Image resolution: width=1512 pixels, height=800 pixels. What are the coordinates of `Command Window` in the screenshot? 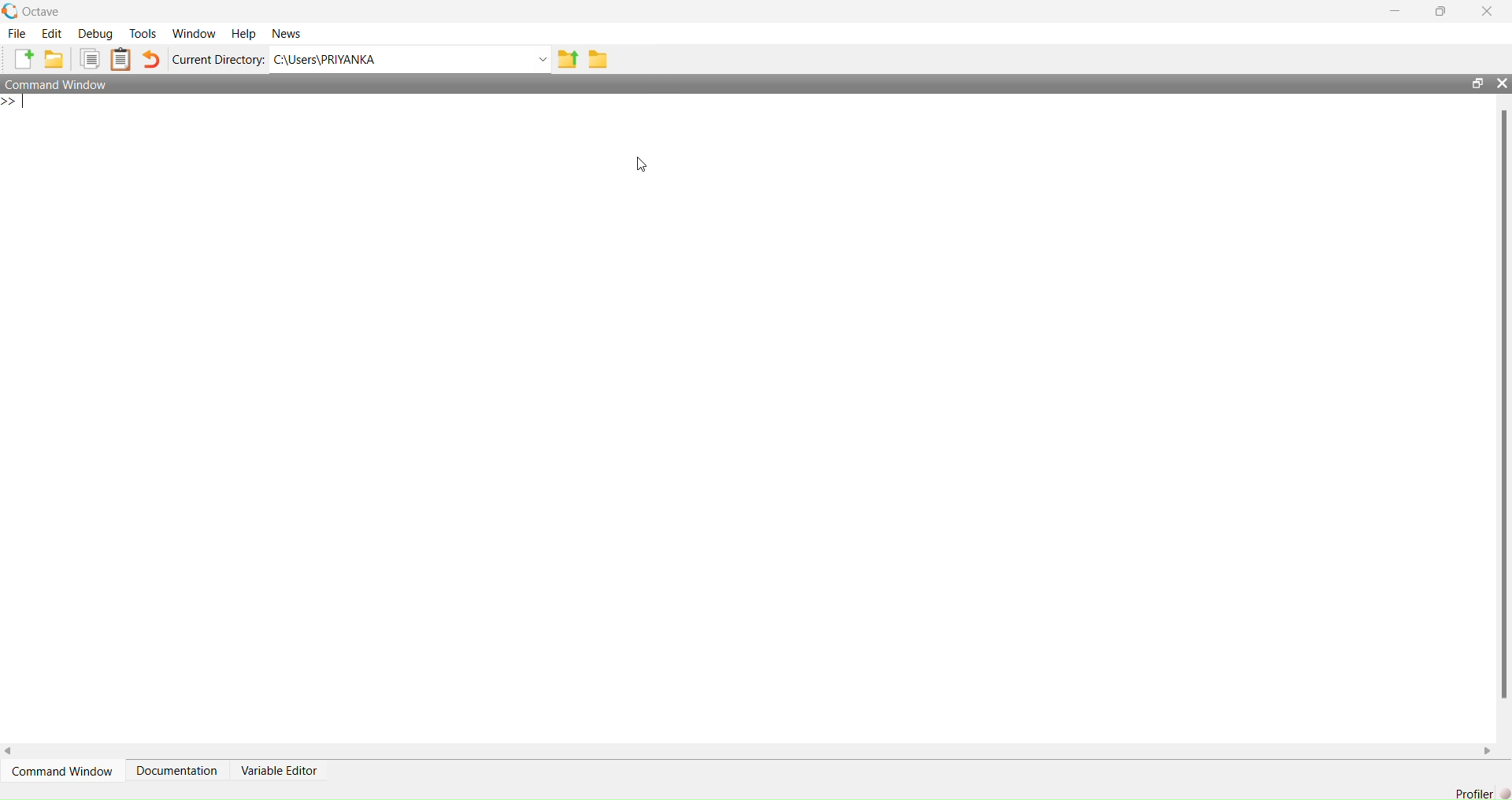 It's located at (66, 772).